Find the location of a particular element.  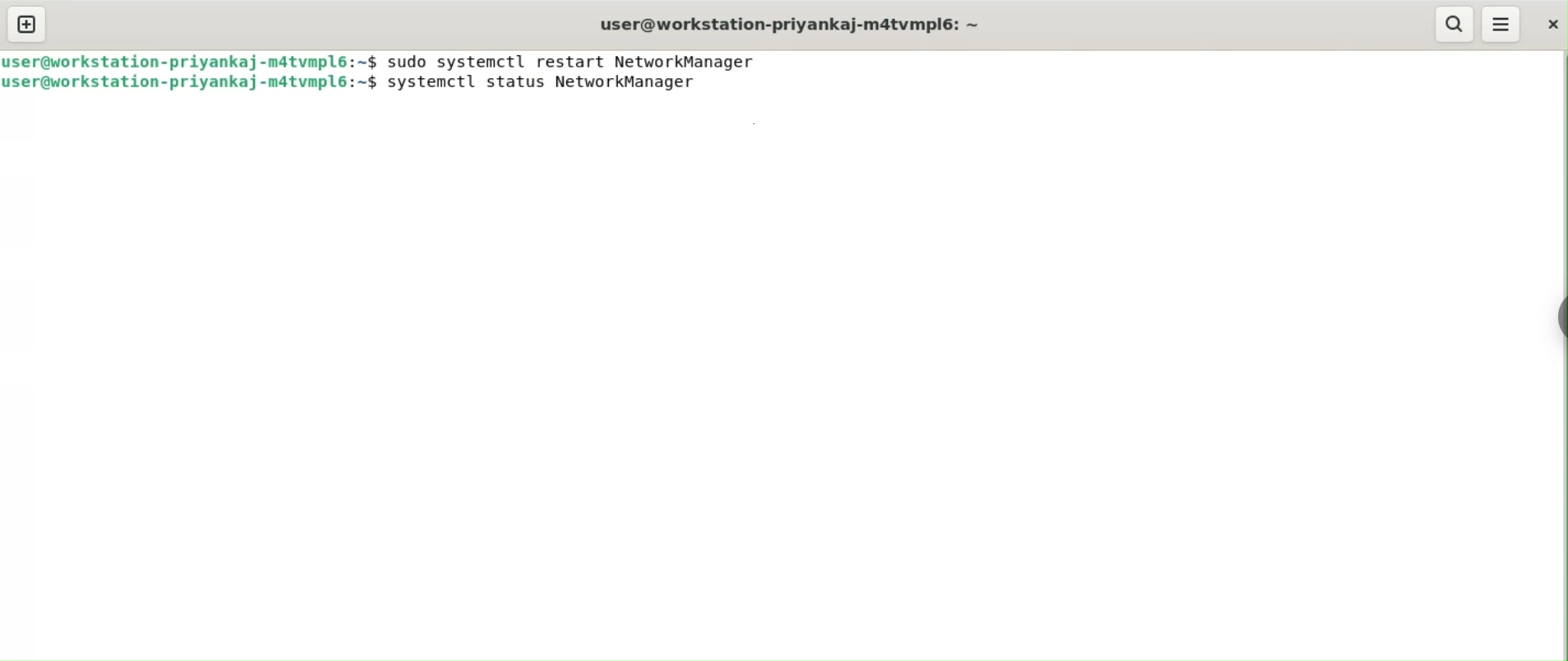

sudo systemctl restart NetworkManager is located at coordinates (578, 62).